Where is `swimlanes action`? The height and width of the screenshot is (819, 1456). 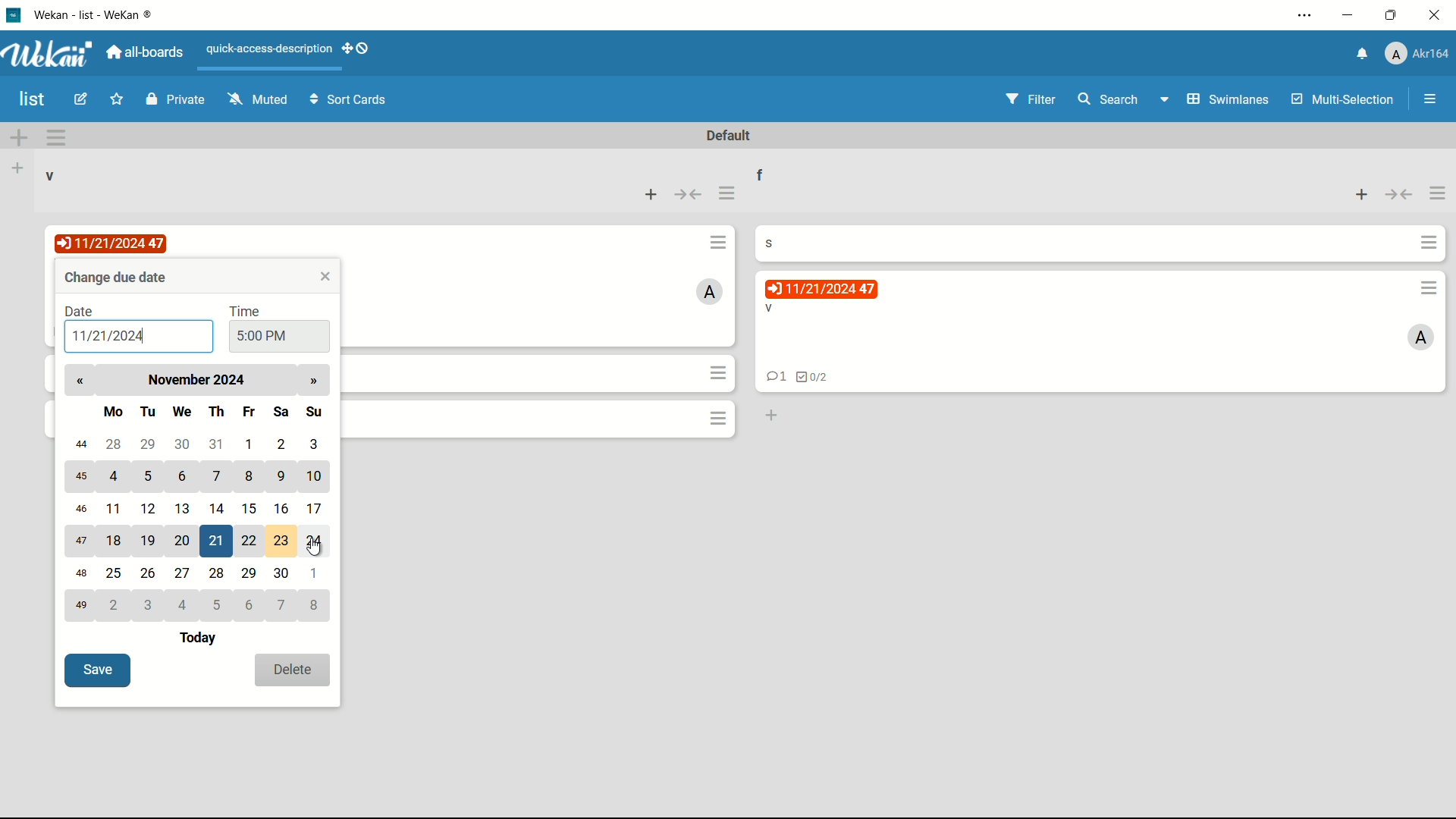
swimlanes action is located at coordinates (56, 137).